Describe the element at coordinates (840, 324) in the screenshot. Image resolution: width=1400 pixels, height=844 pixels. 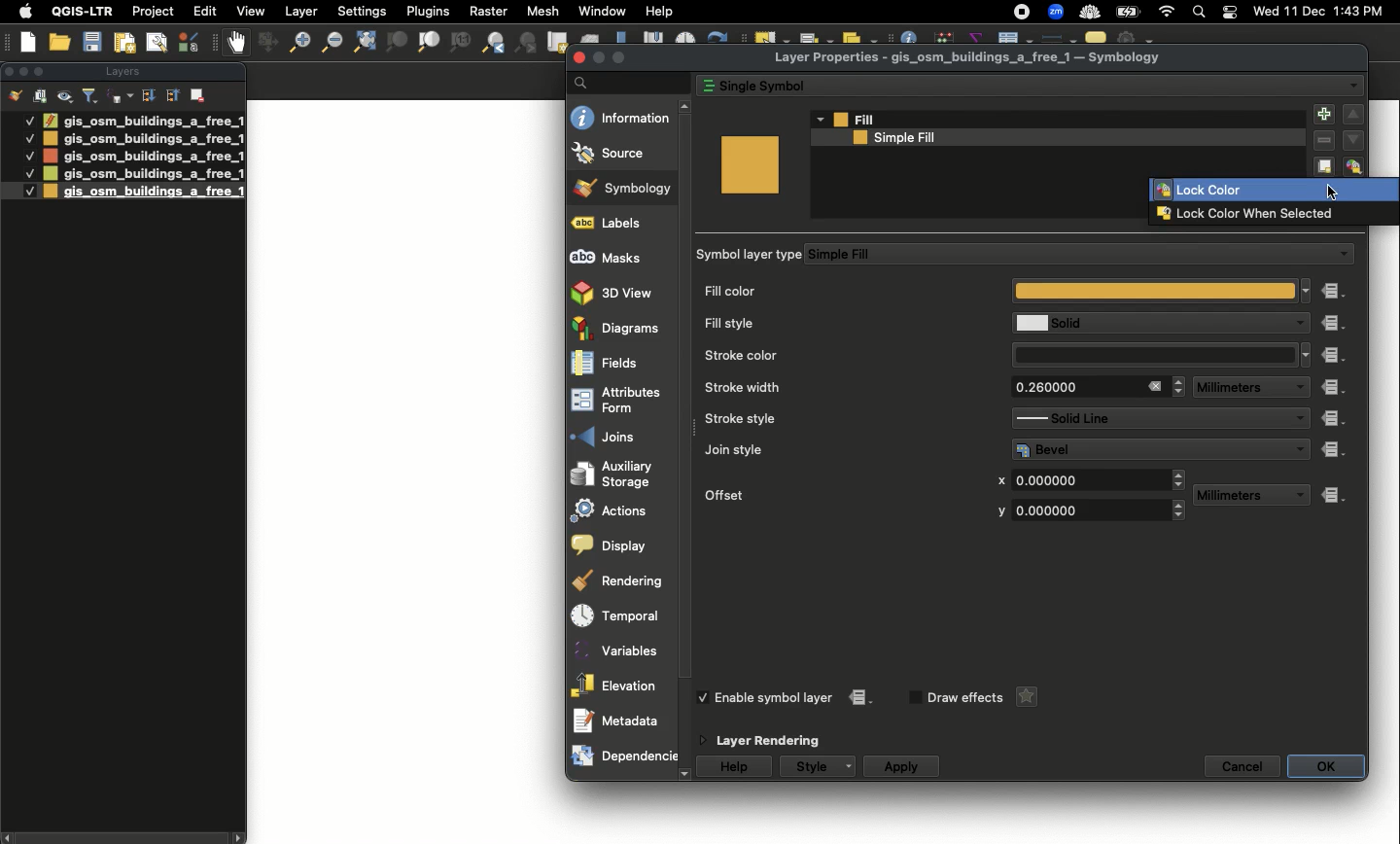
I see `Fill style` at that location.